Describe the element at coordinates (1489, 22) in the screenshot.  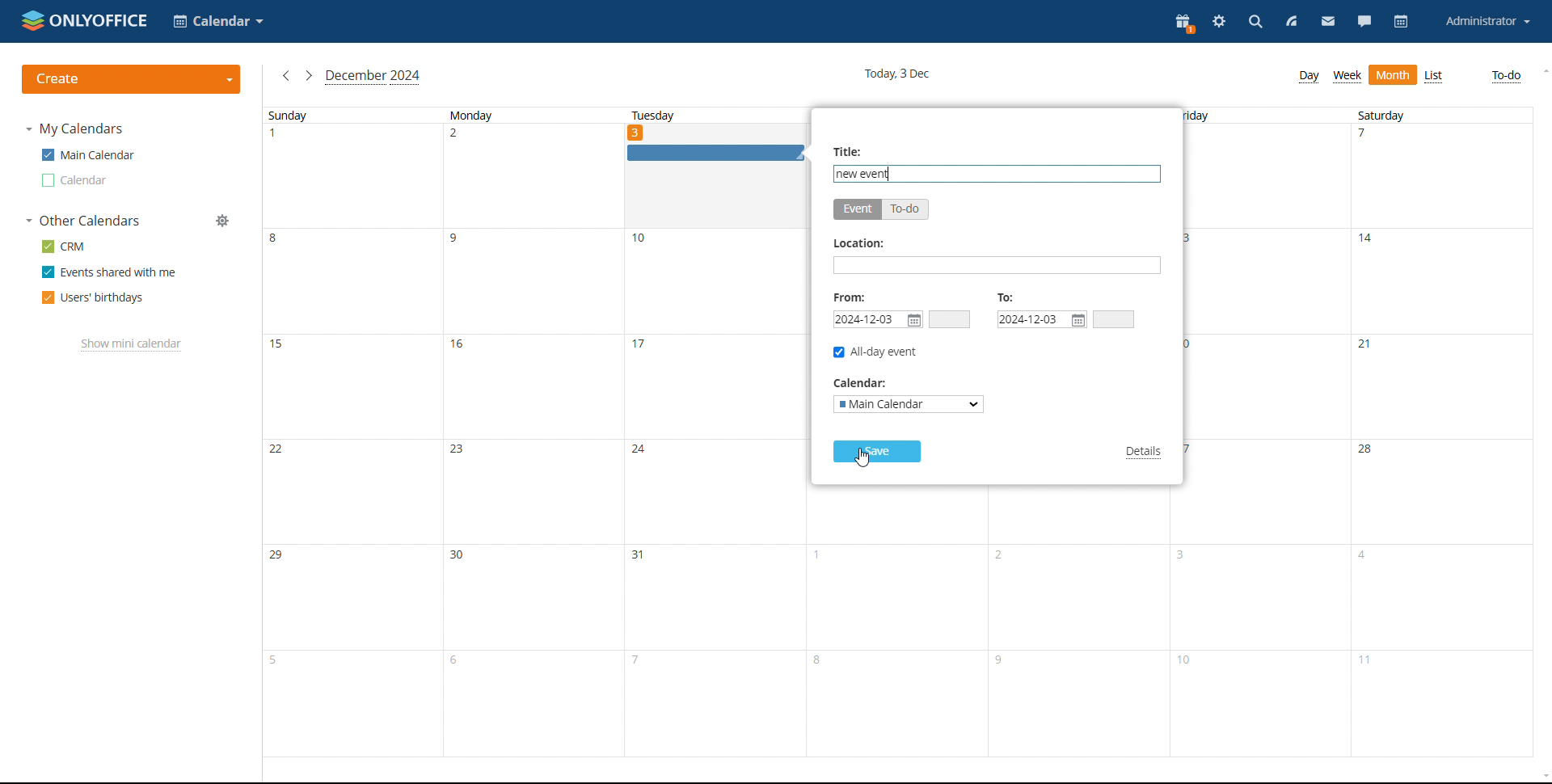
I see `account` at that location.